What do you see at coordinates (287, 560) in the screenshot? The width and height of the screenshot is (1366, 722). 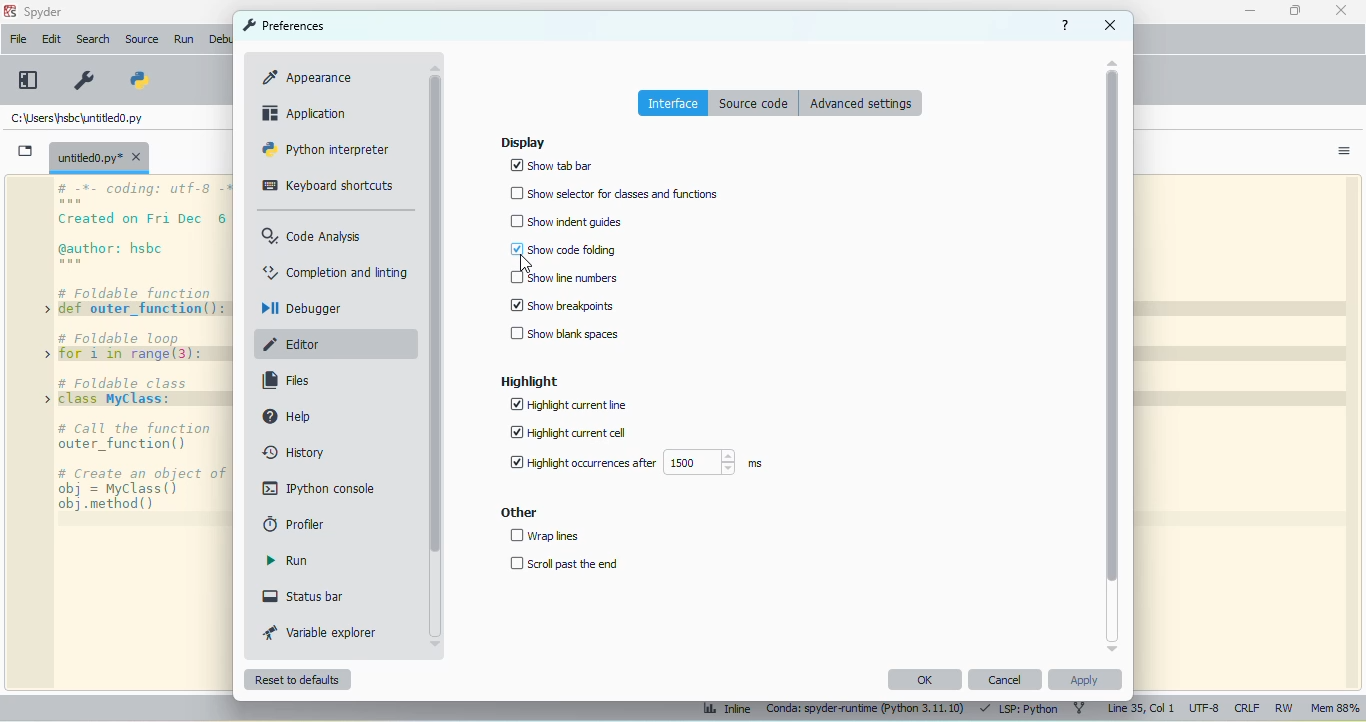 I see `run` at bounding box center [287, 560].